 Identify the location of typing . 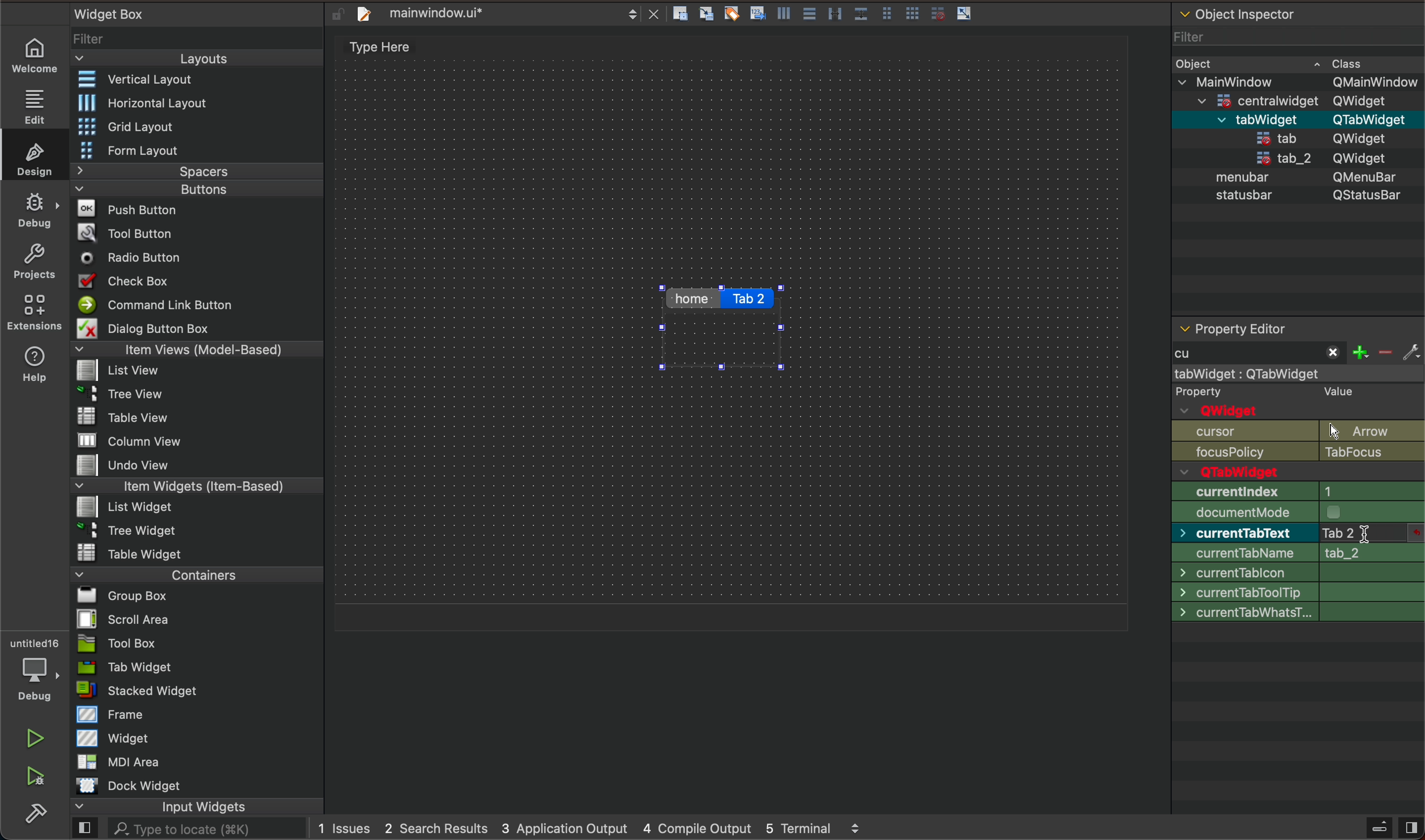
(1364, 535).